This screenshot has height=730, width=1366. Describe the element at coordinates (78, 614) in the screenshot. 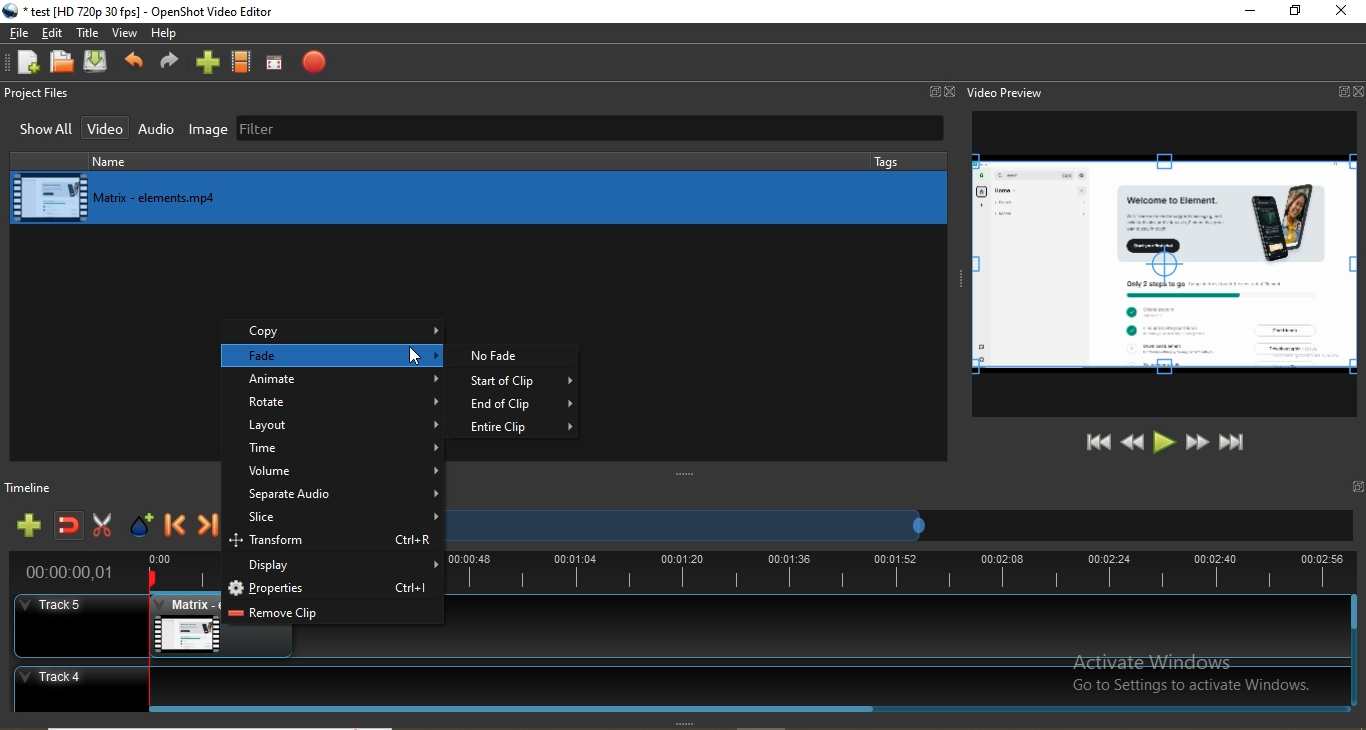

I see `track 5` at that location.